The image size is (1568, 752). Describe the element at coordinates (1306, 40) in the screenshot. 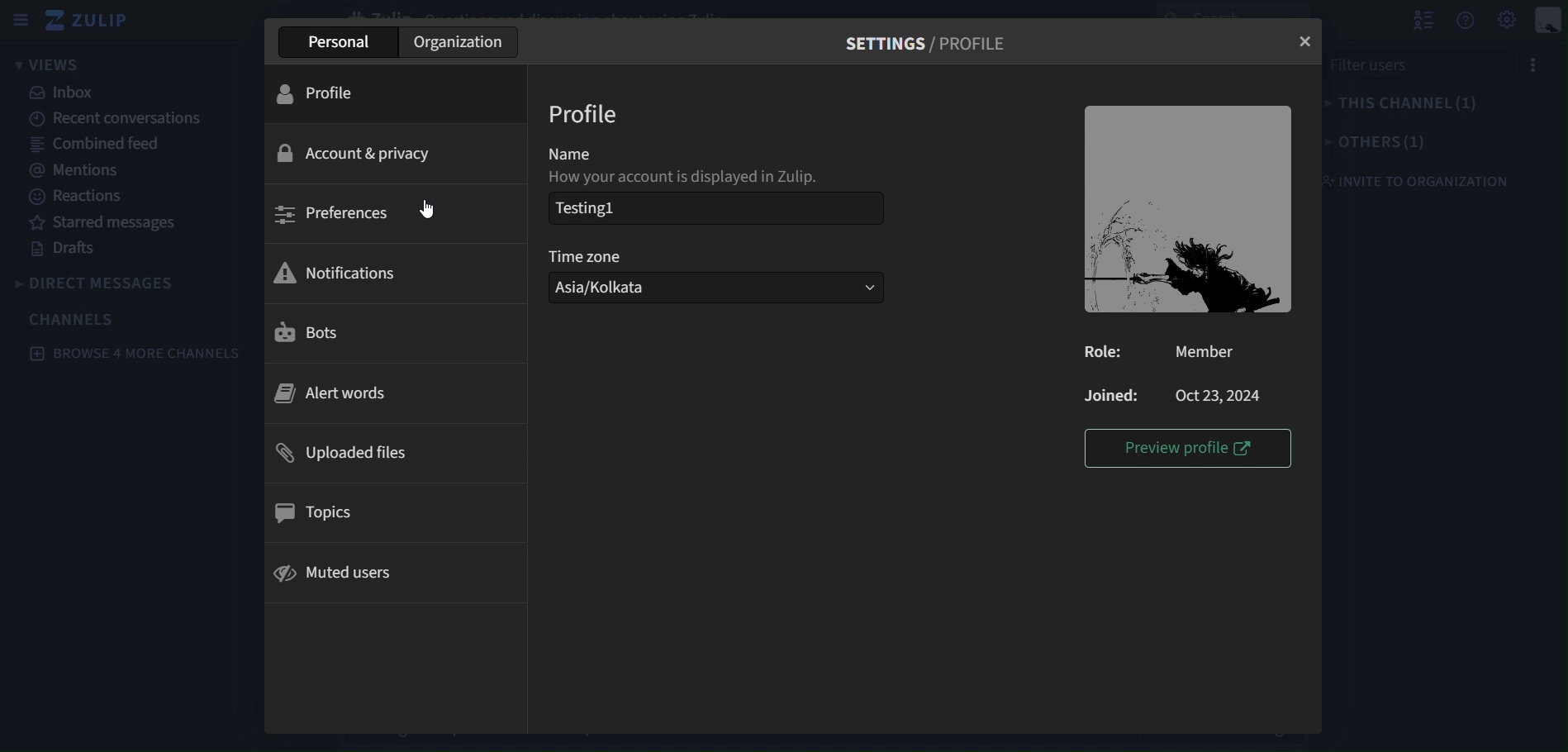

I see `close` at that location.